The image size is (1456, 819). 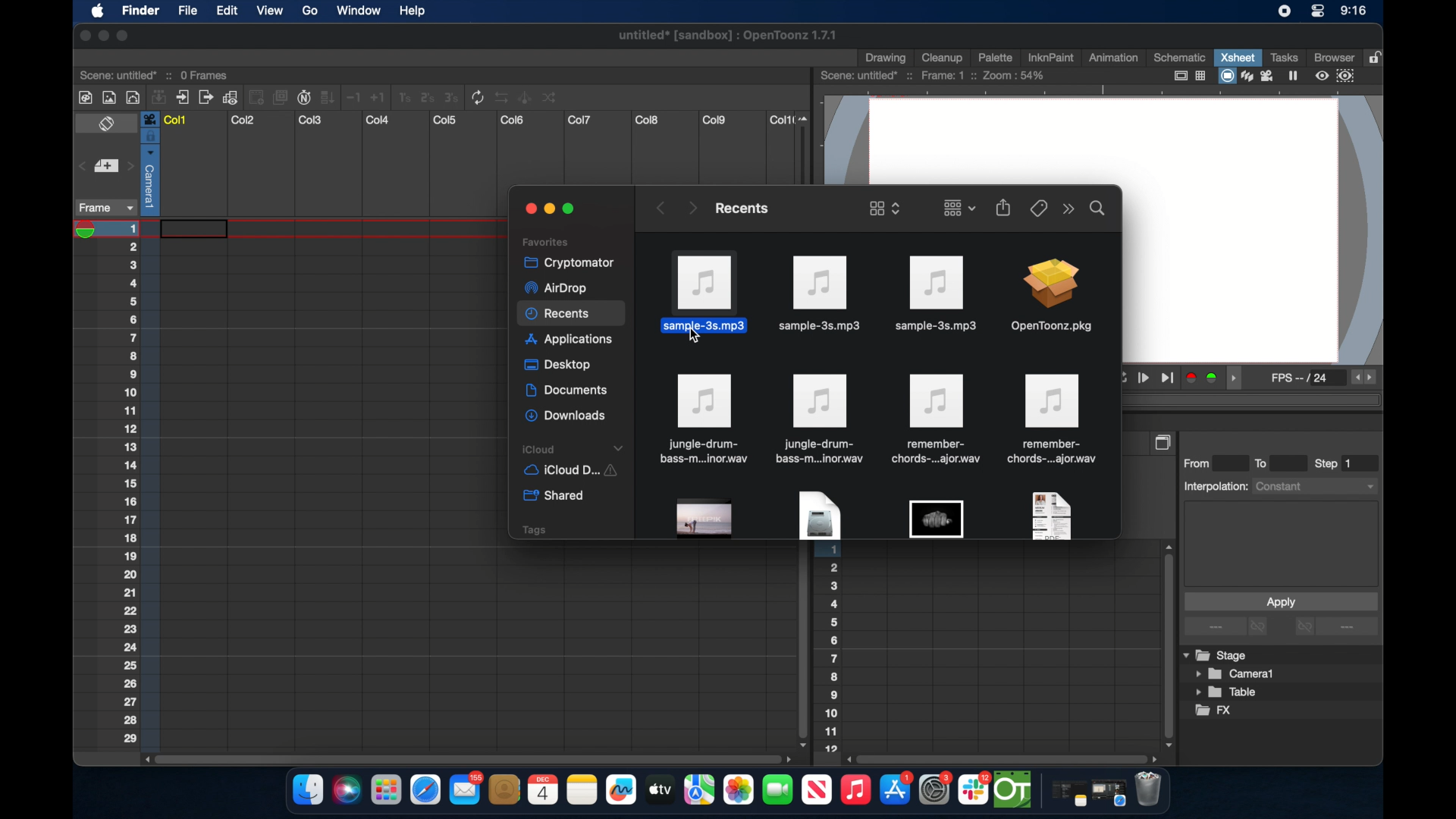 I want to click on apply, so click(x=1280, y=601).